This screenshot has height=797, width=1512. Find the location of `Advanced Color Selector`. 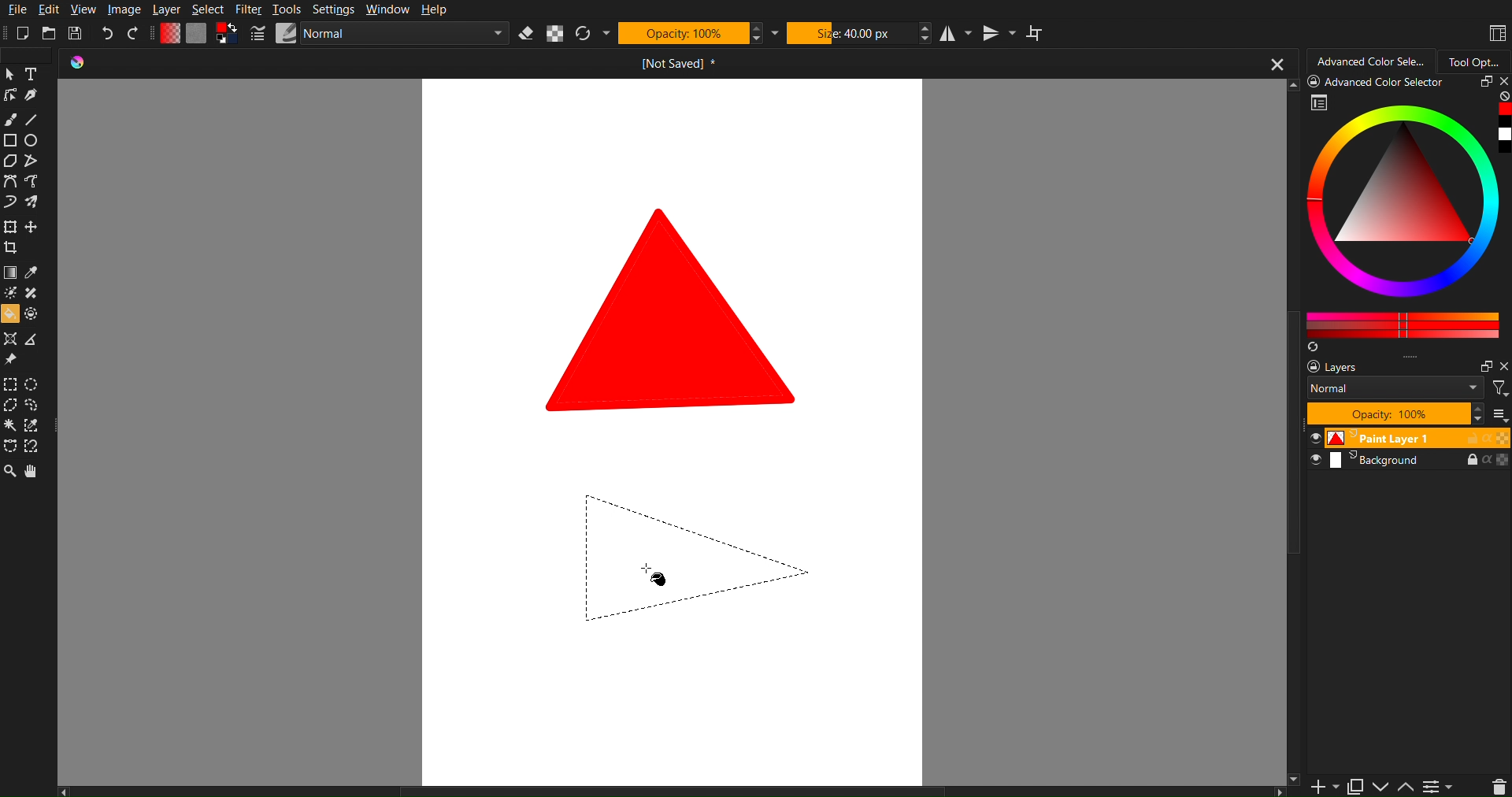

Advanced Color Selector is located at coordinates (1410, 214).